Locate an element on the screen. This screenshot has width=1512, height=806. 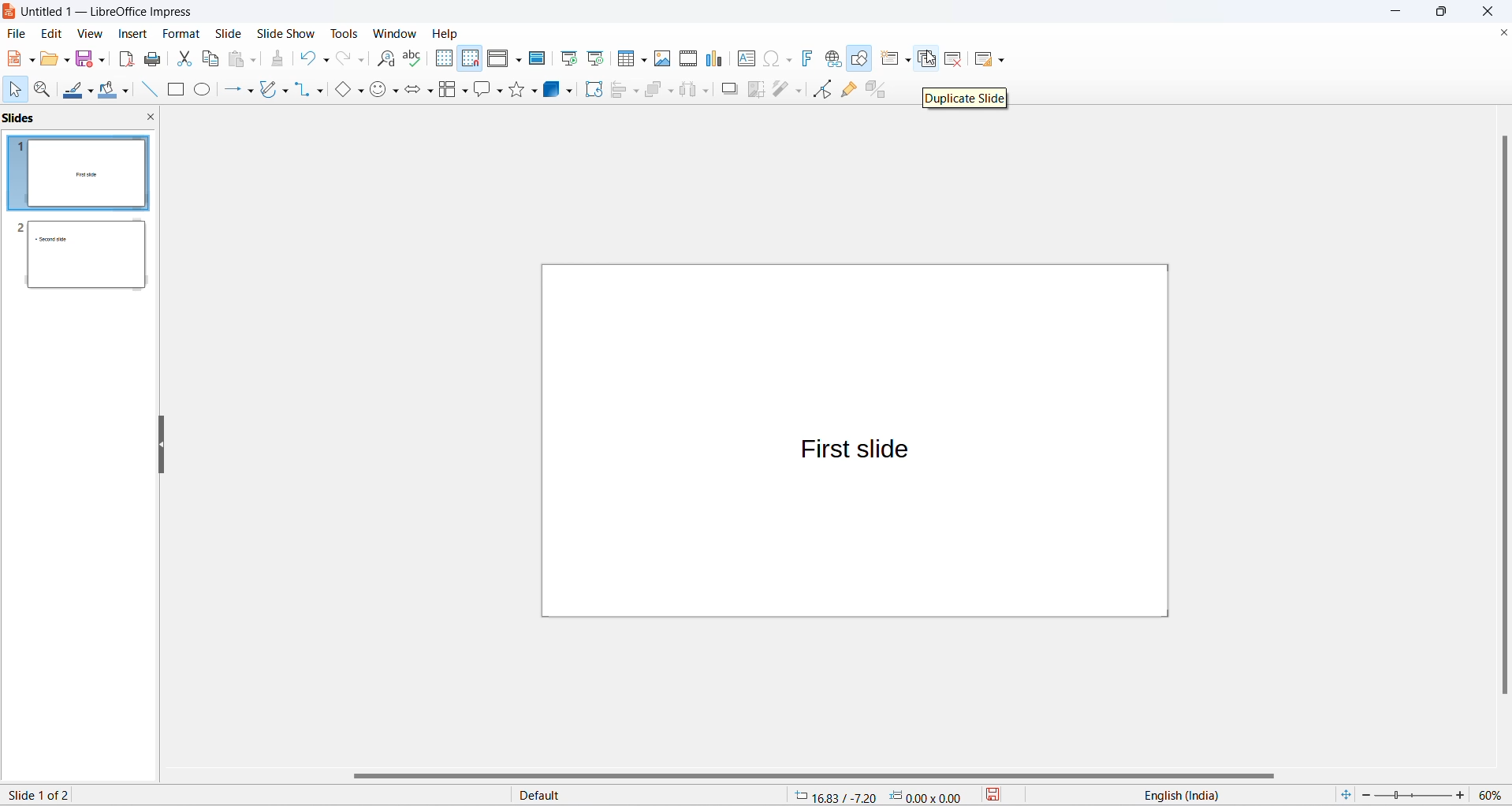
master slide is located at coordinates (541, 58).